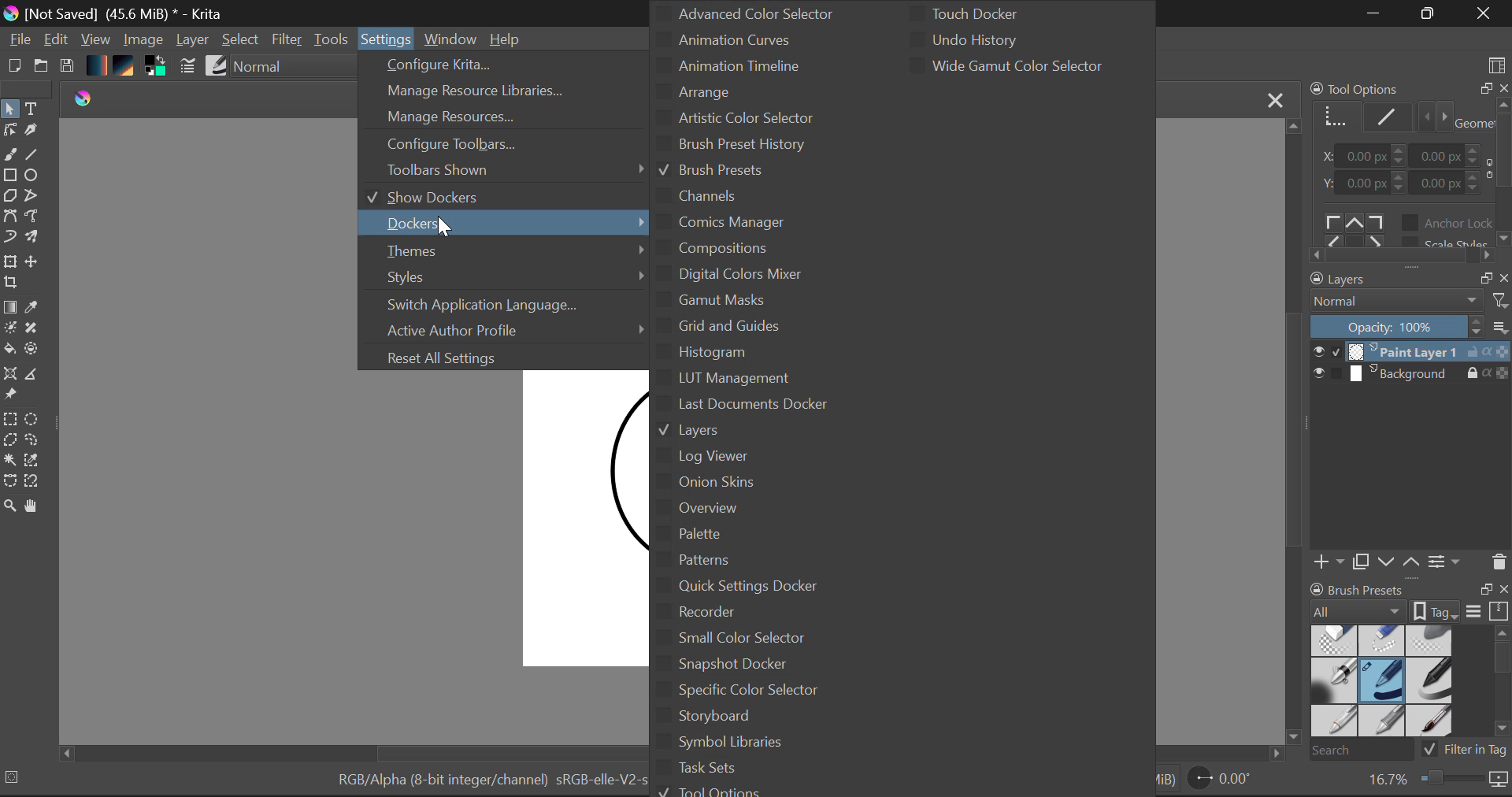 This screenshot has width=1512, height=797. I want to click on Bezier Curve, so click(9, 218).